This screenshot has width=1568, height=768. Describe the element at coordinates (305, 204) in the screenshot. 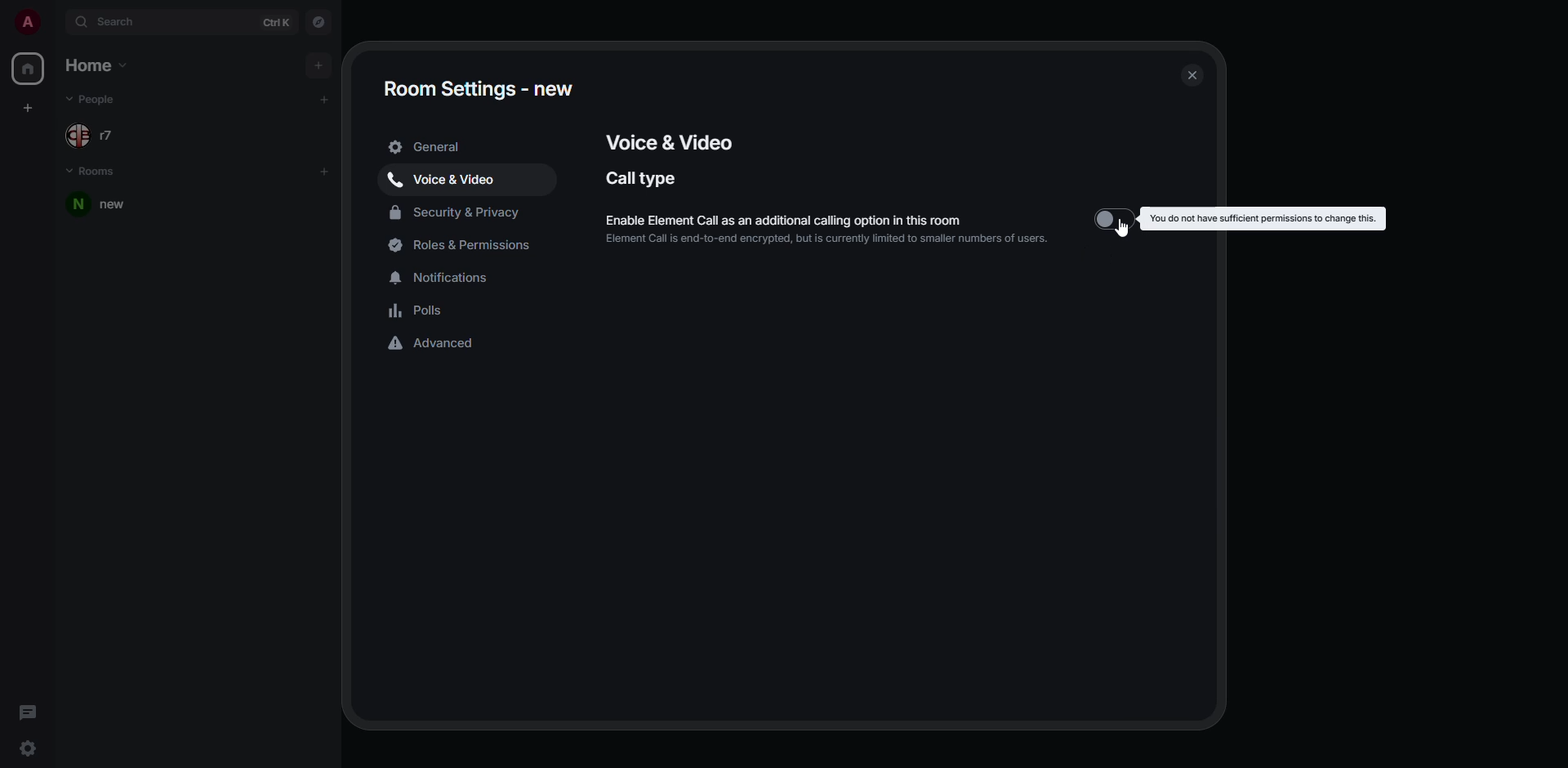

I see `room options` at that location.